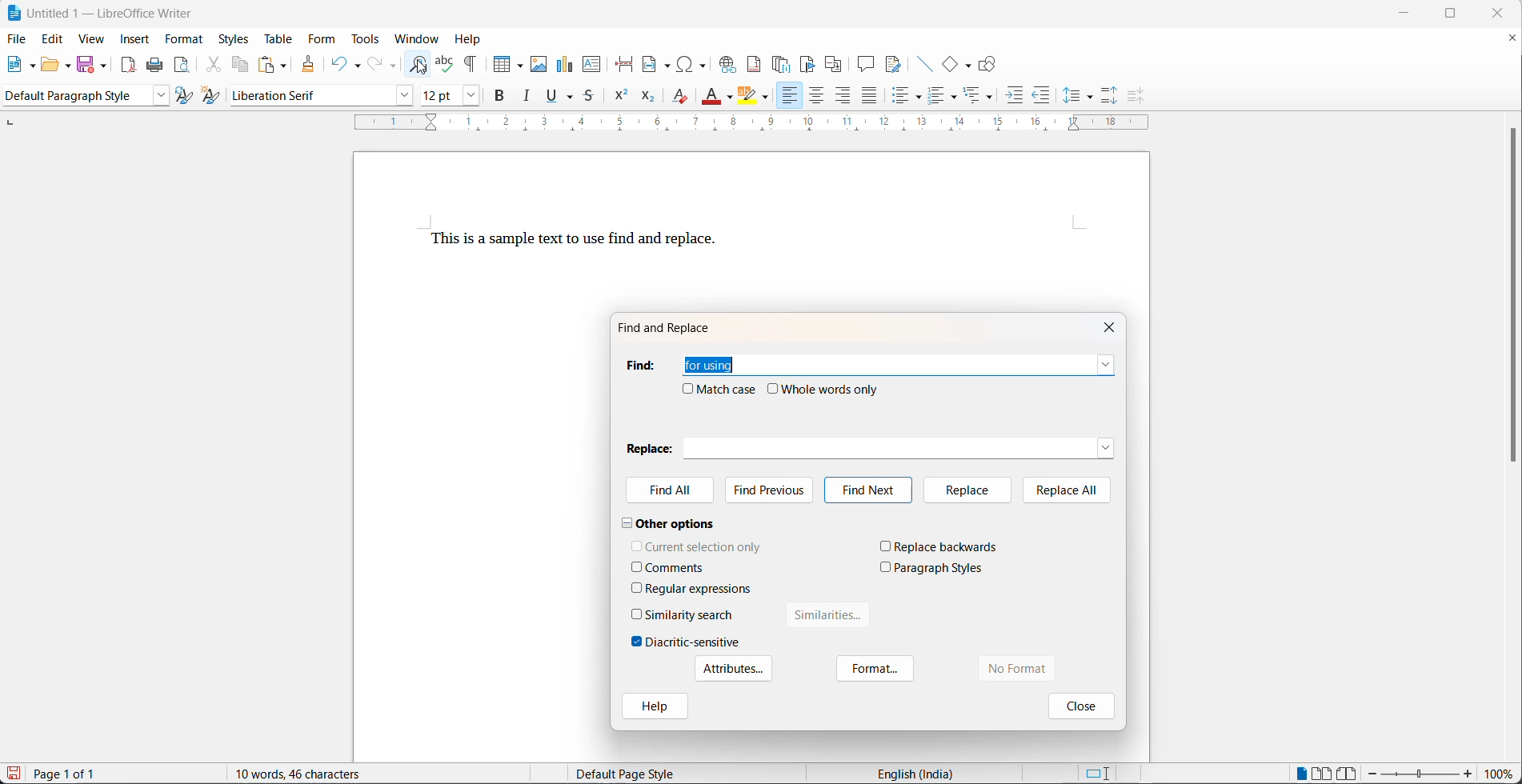 This screenshot has height=784, width=1522. I want to click on other options, so click(669, 522).